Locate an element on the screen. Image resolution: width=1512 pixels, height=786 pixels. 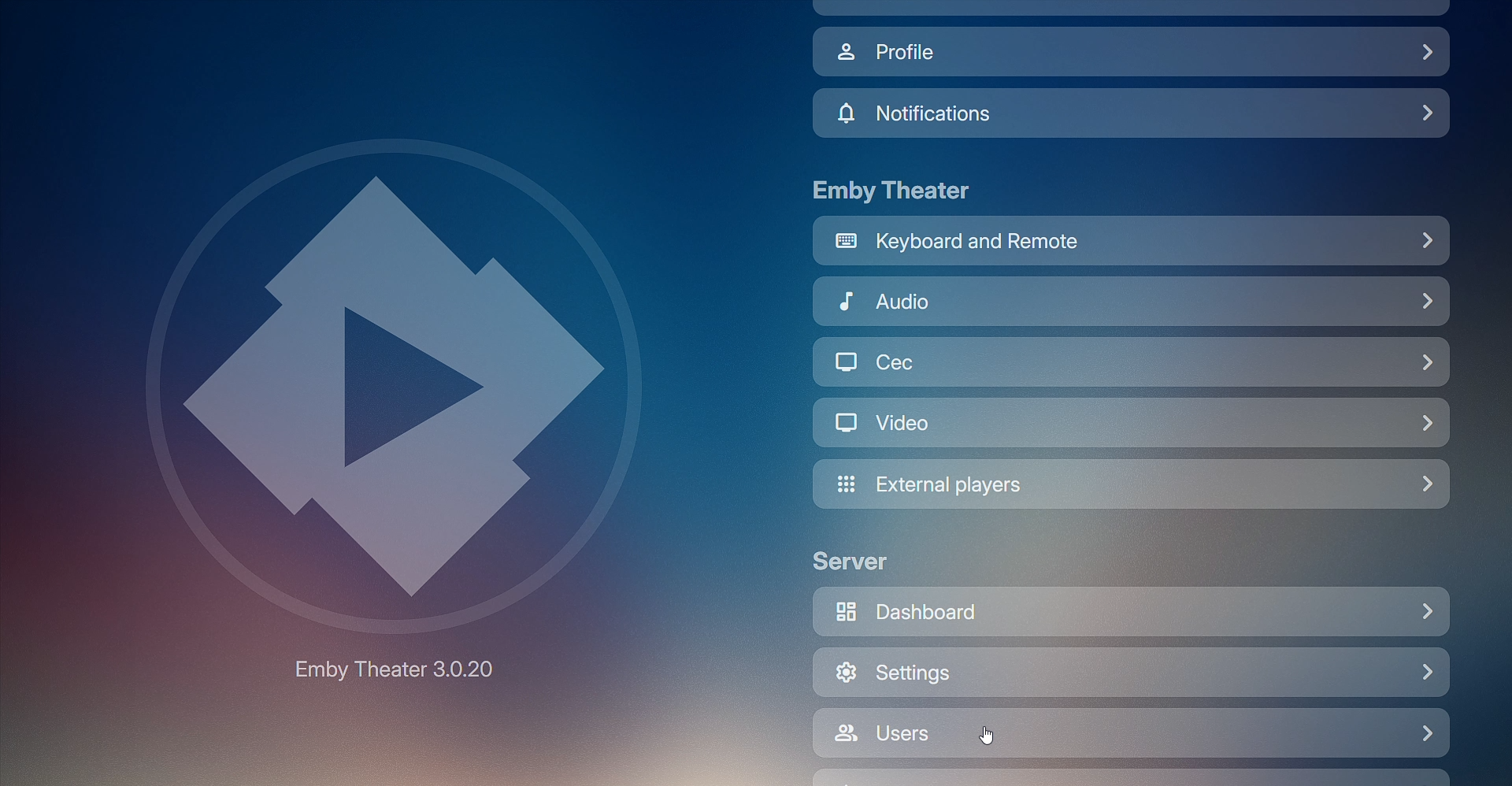
Keyboard and Remote is located at coordinates (1131, 244).